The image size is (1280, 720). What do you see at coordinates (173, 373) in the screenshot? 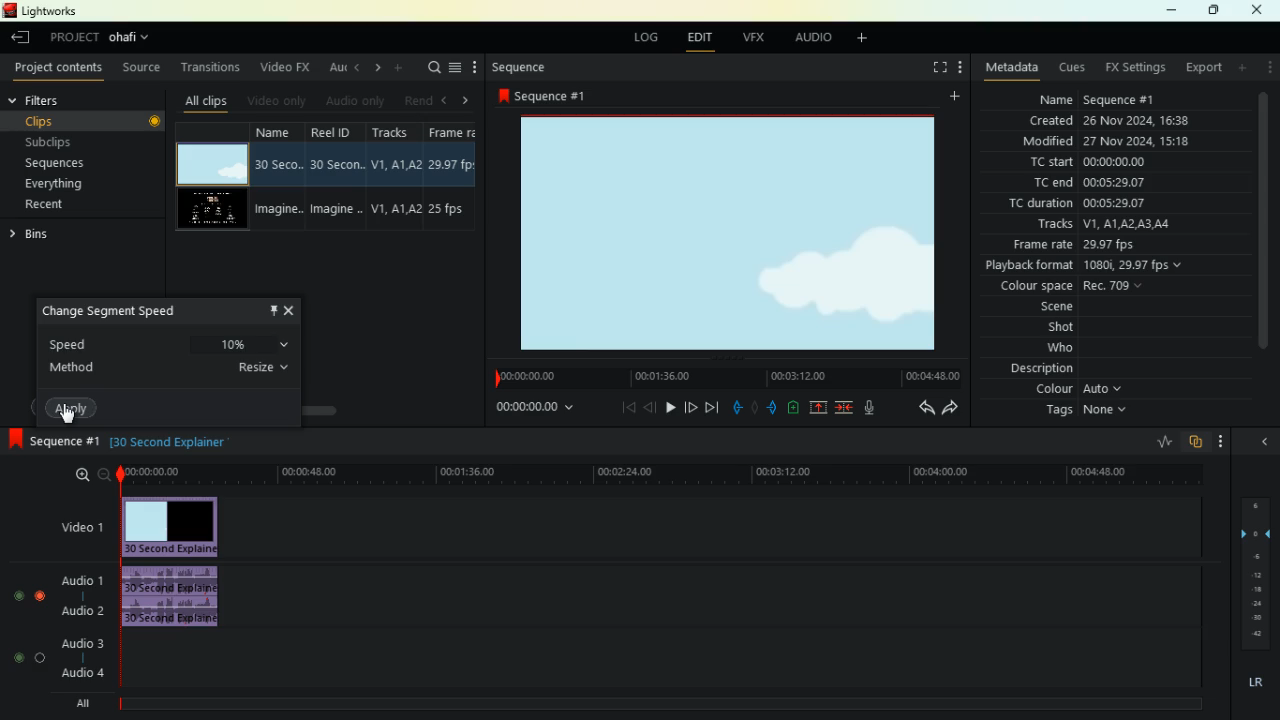
I see `method` at bounding box center [173, 373].